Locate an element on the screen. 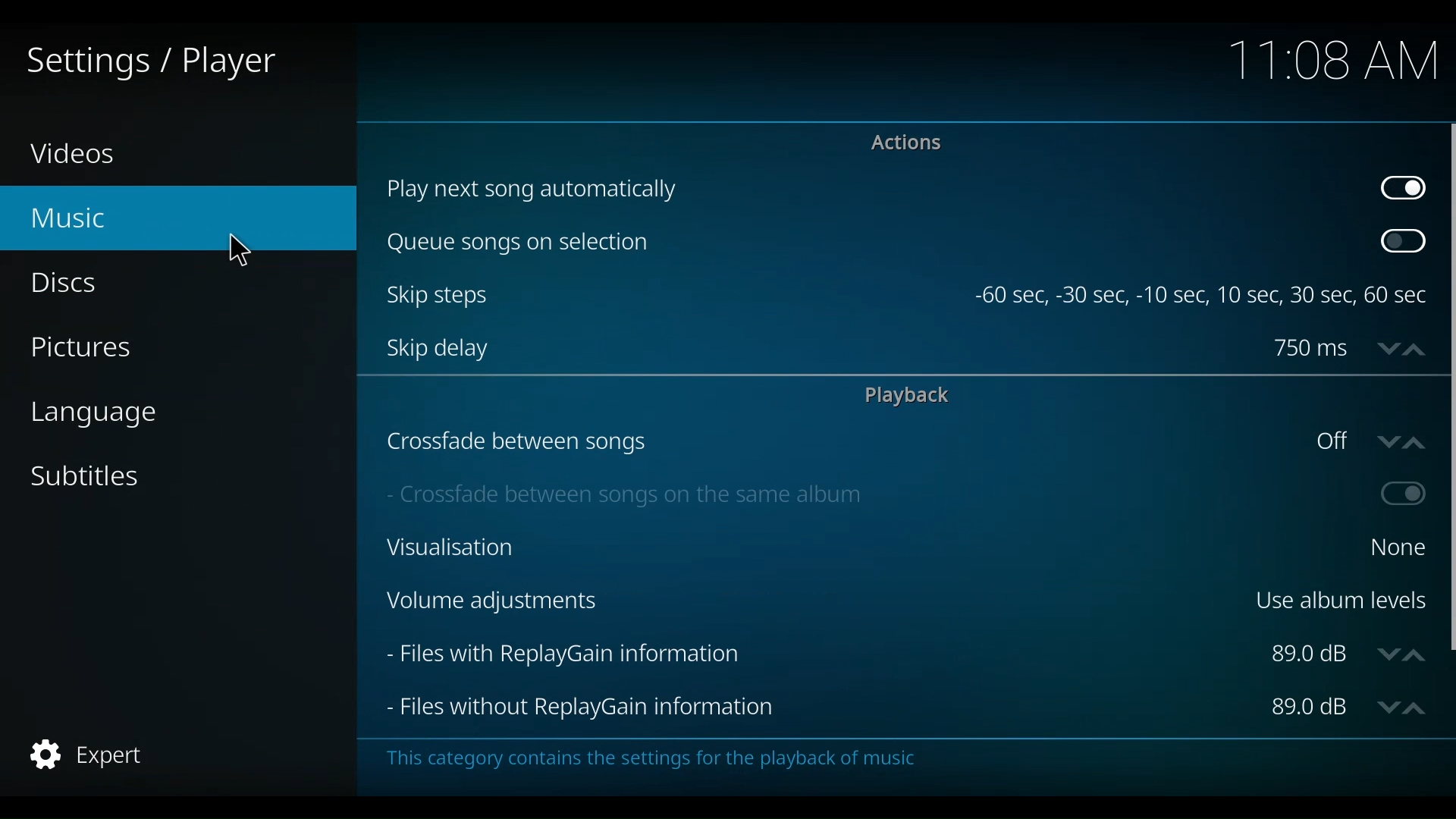 The width and height of the screenshot is (1456, 819). -60 sec, -30 sec, -10 sec, 10 sec, 30 sec, 60 sec is located at coordinates (1203, 297).